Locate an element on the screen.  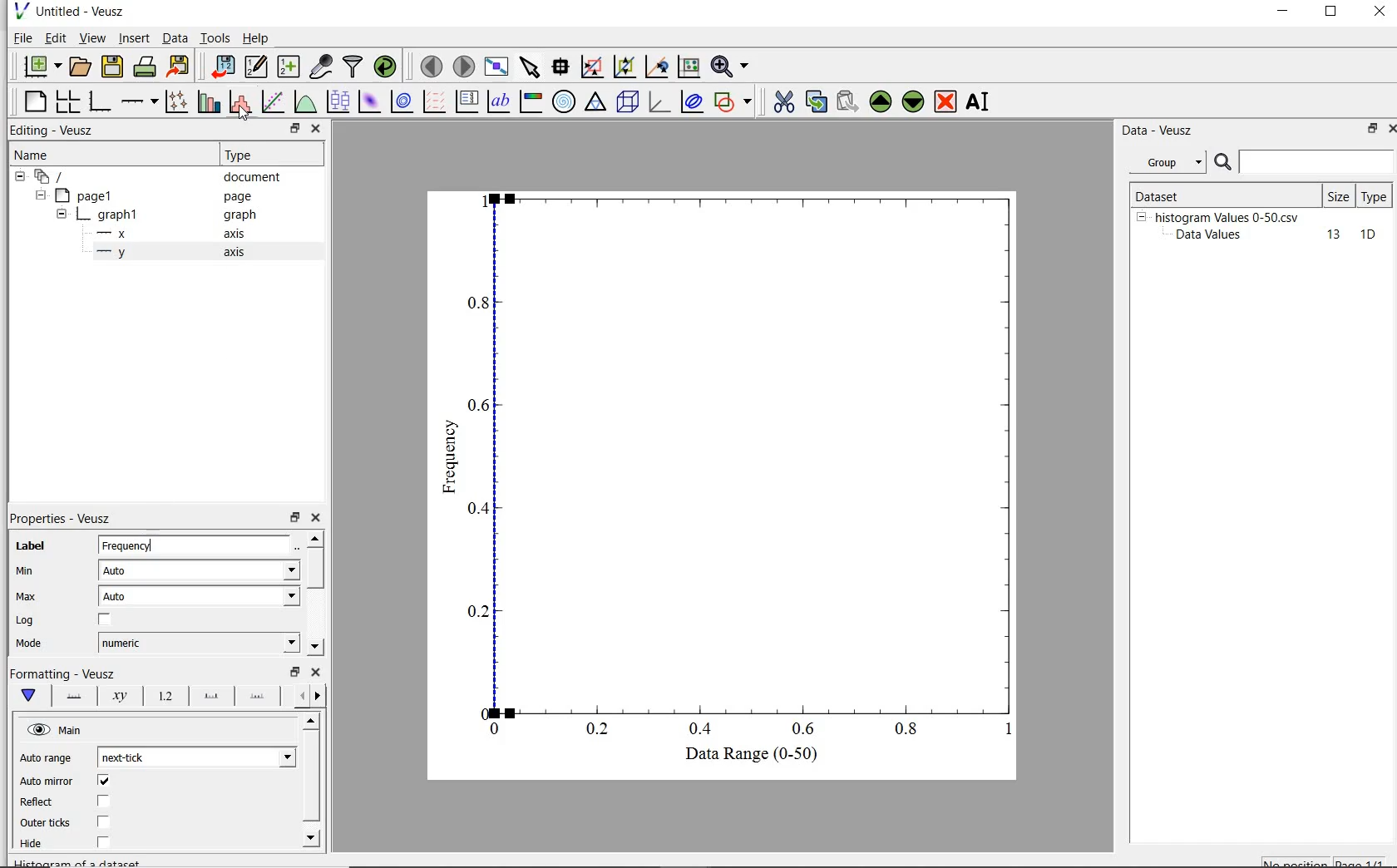
click to zoom out on graph axes is located at coordinates (656, 67).